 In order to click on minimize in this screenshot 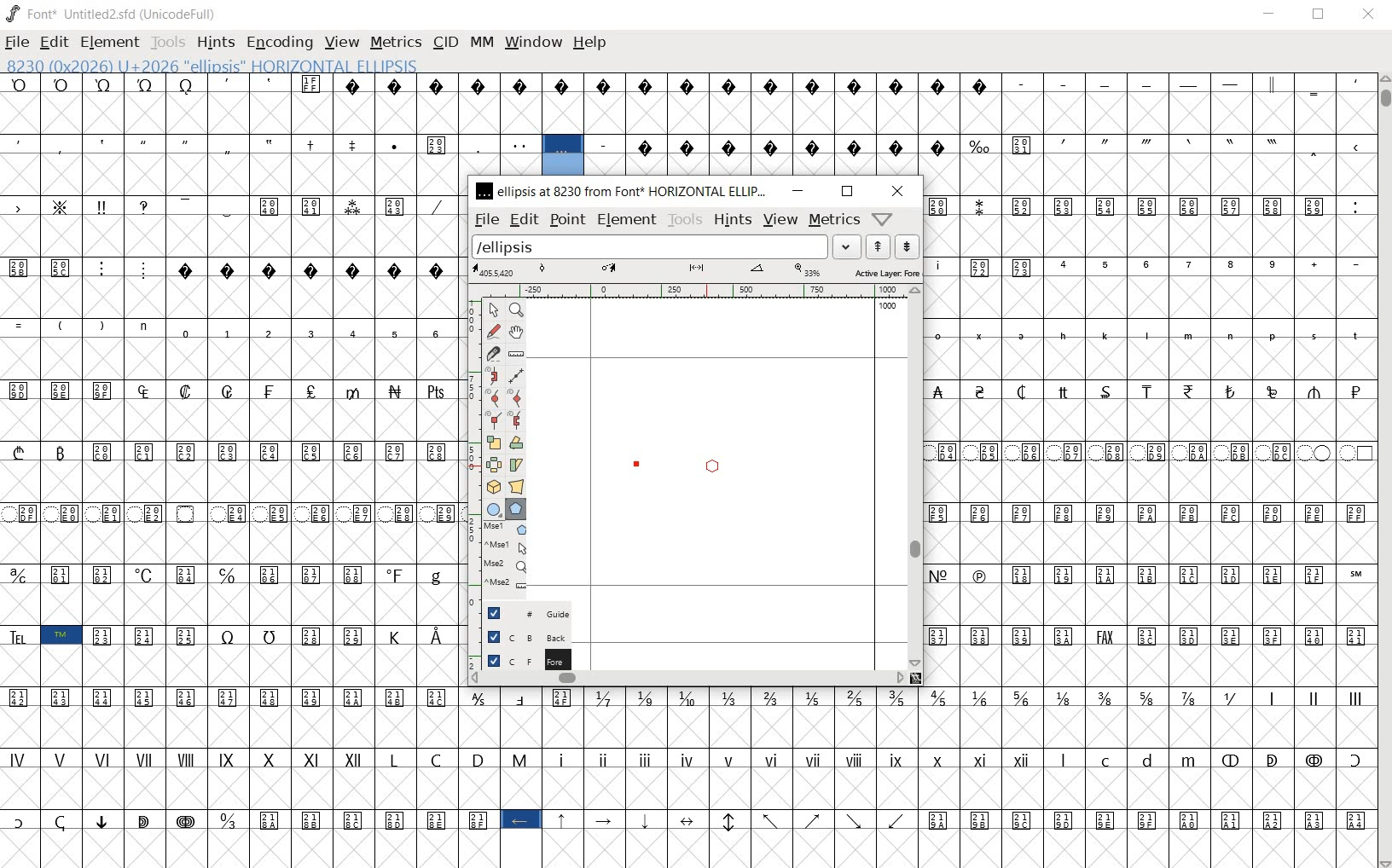, I will do `click(797, 190)`.